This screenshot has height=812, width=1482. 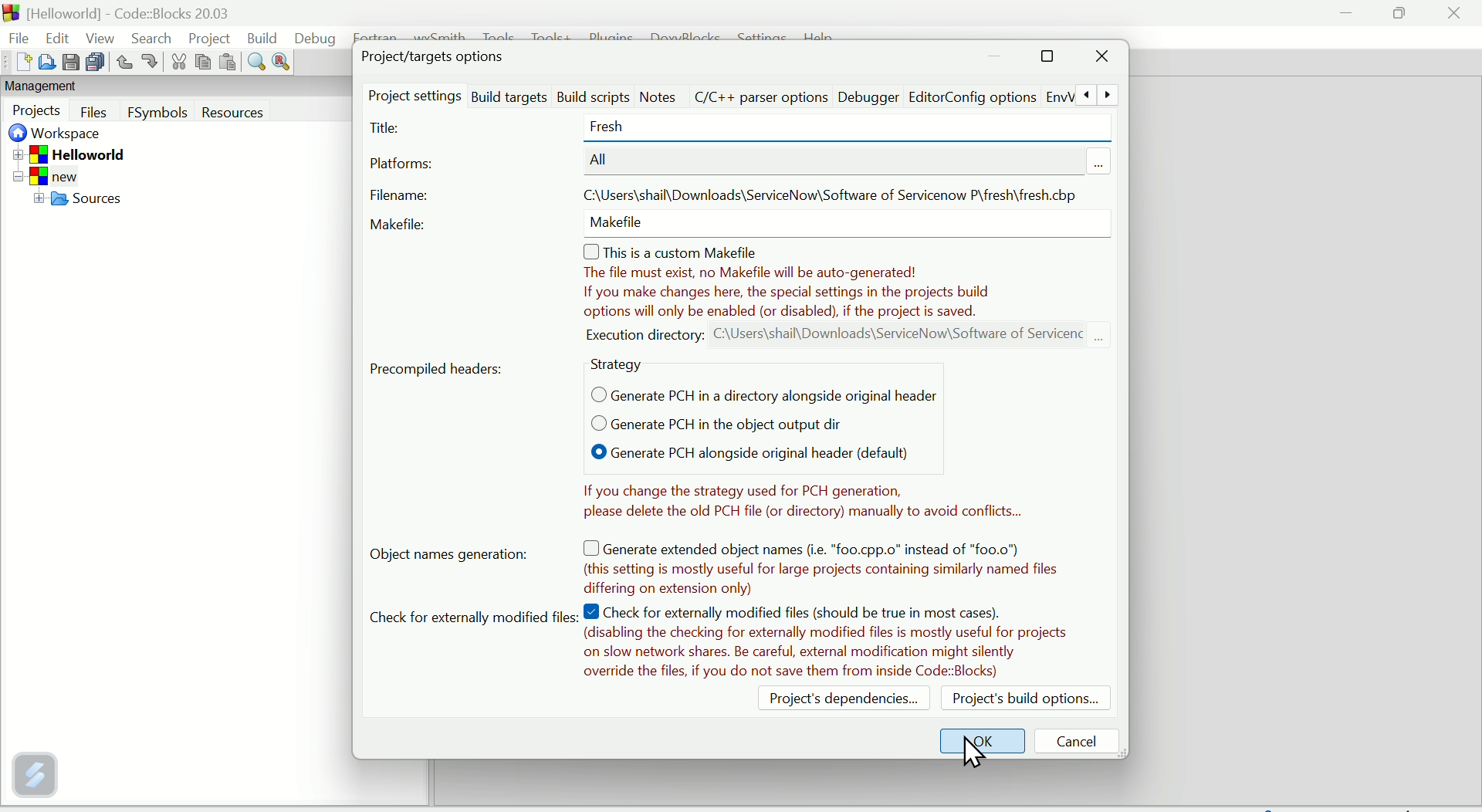 I want to click on Precompiled headers, so click(x=440, y=367).